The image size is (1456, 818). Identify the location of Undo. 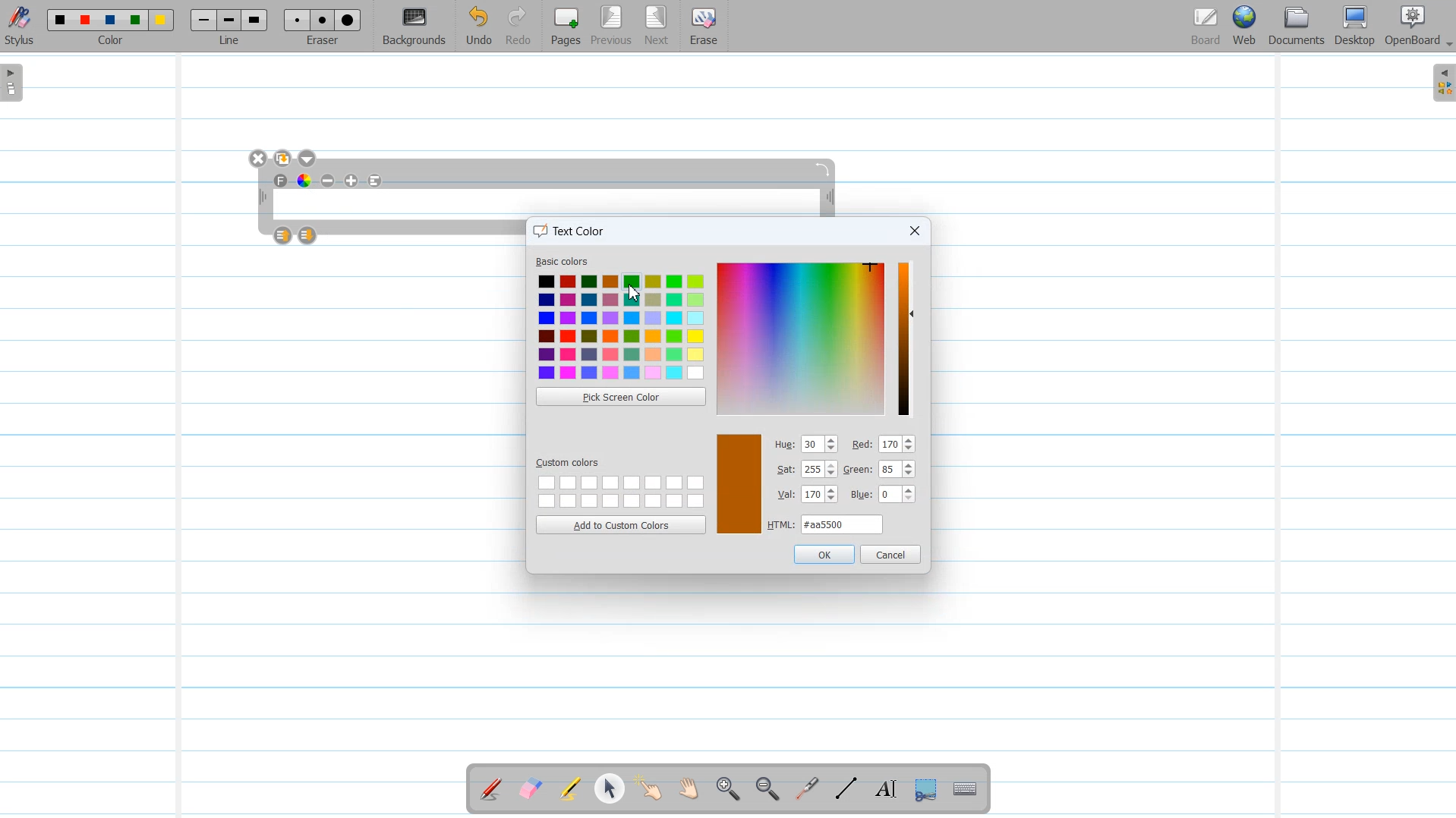
(478, 27).